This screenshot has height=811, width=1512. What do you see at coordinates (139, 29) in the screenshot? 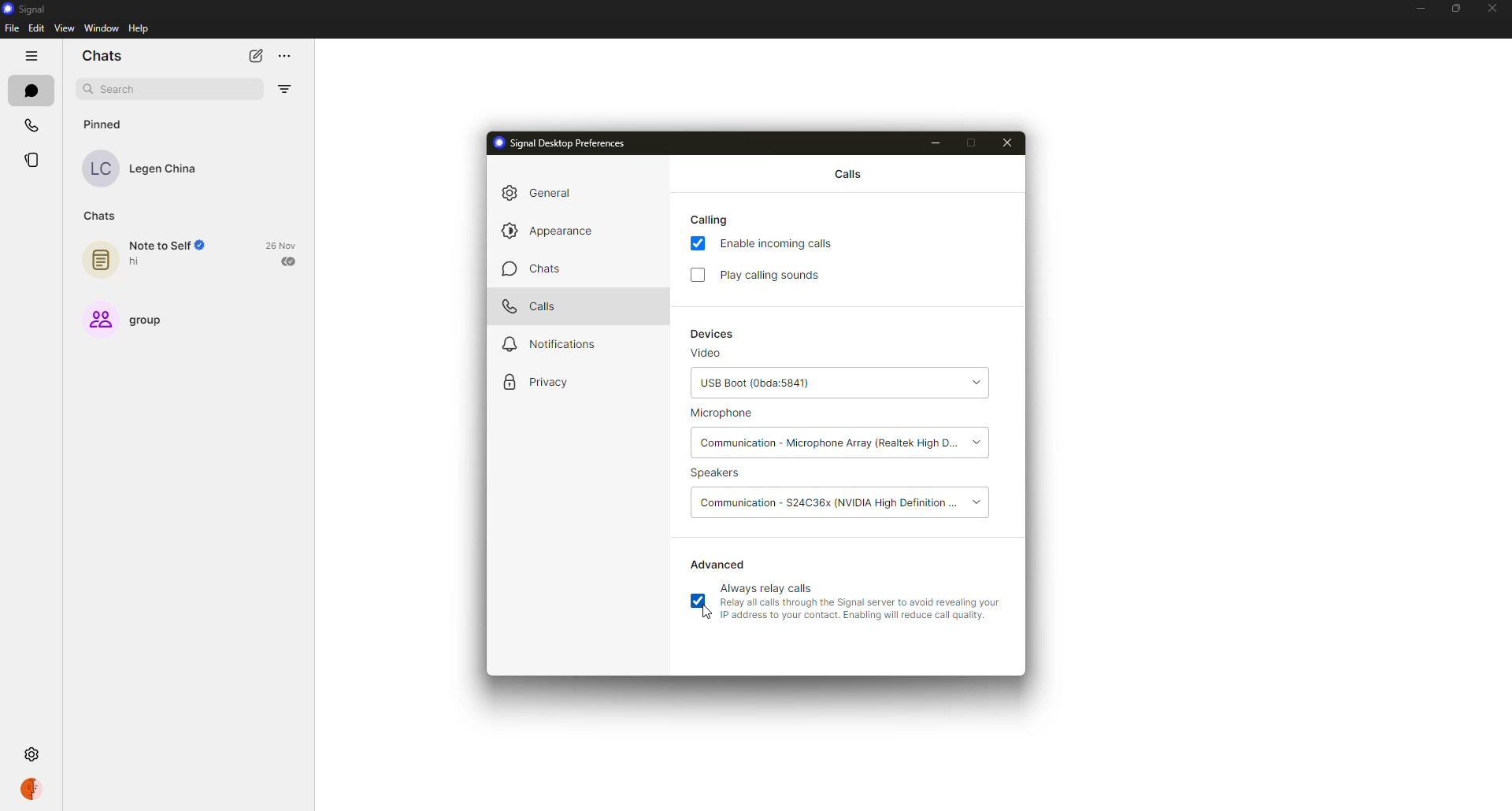
I see `help` at bounding box center [139, 29].